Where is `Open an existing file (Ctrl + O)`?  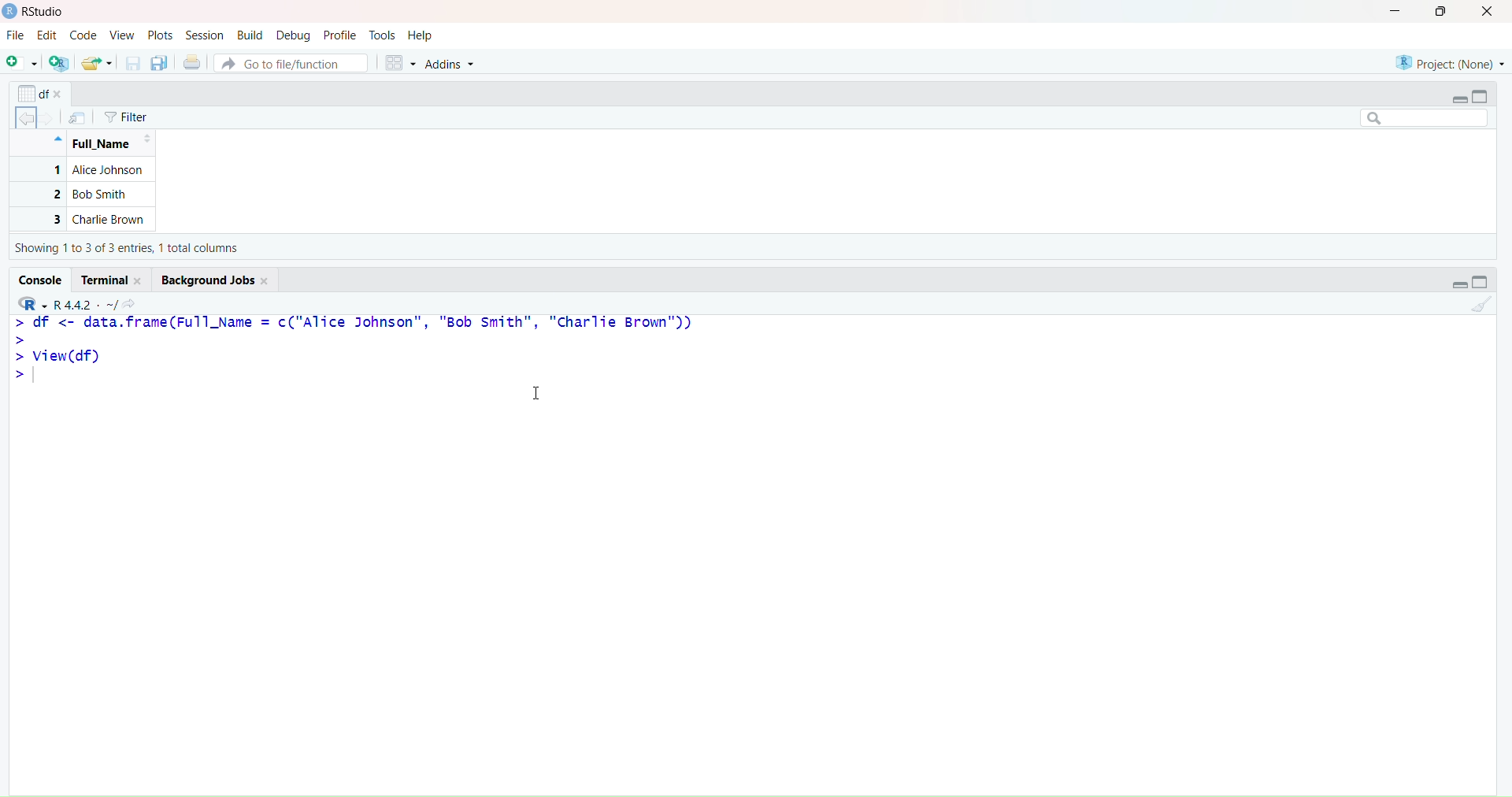 Open an existing file (Ctrl + O) is located at coordinates (98, 63).